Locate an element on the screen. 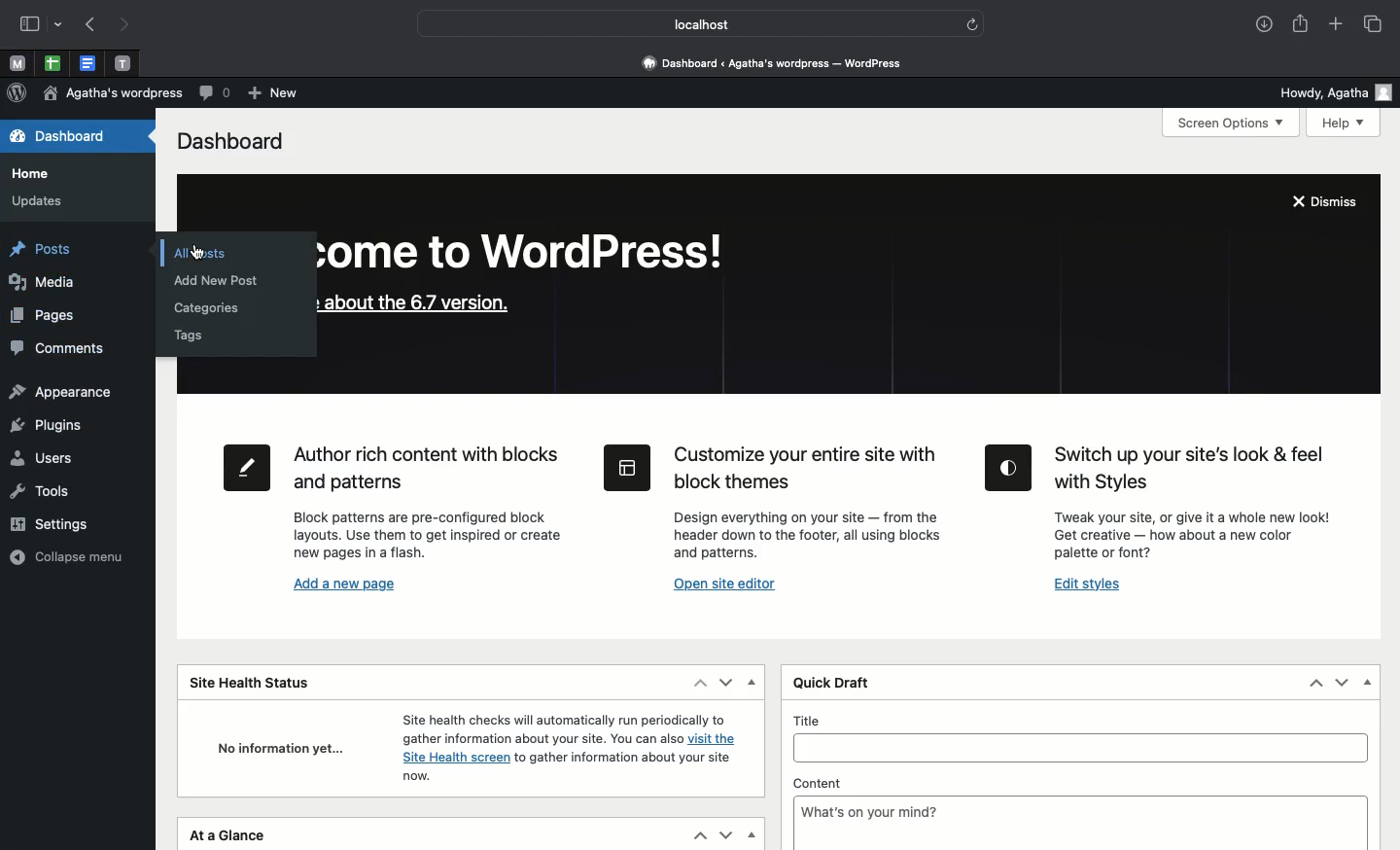 This screenshot has width=1400, height=850. about 6.7 version. is located at coordinates (414, 306).